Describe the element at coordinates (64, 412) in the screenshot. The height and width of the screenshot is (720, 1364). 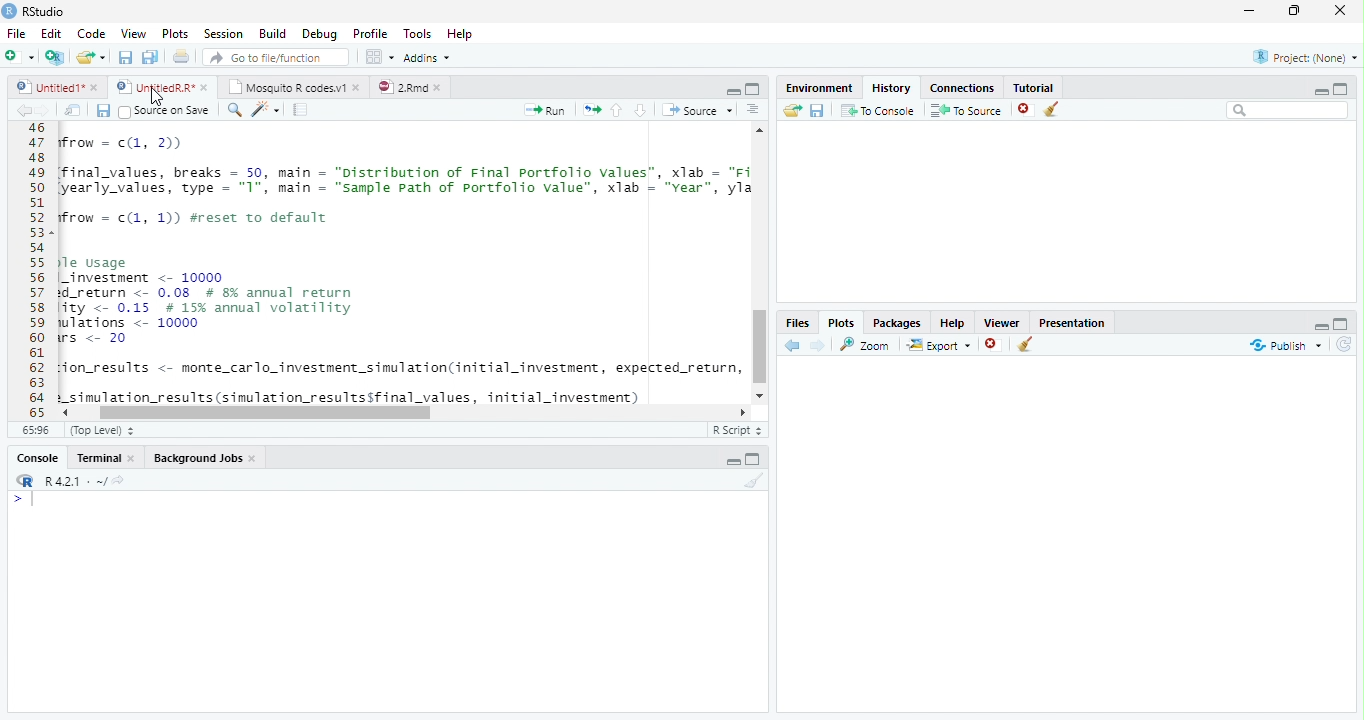
I see `Scroll Left` at that location.